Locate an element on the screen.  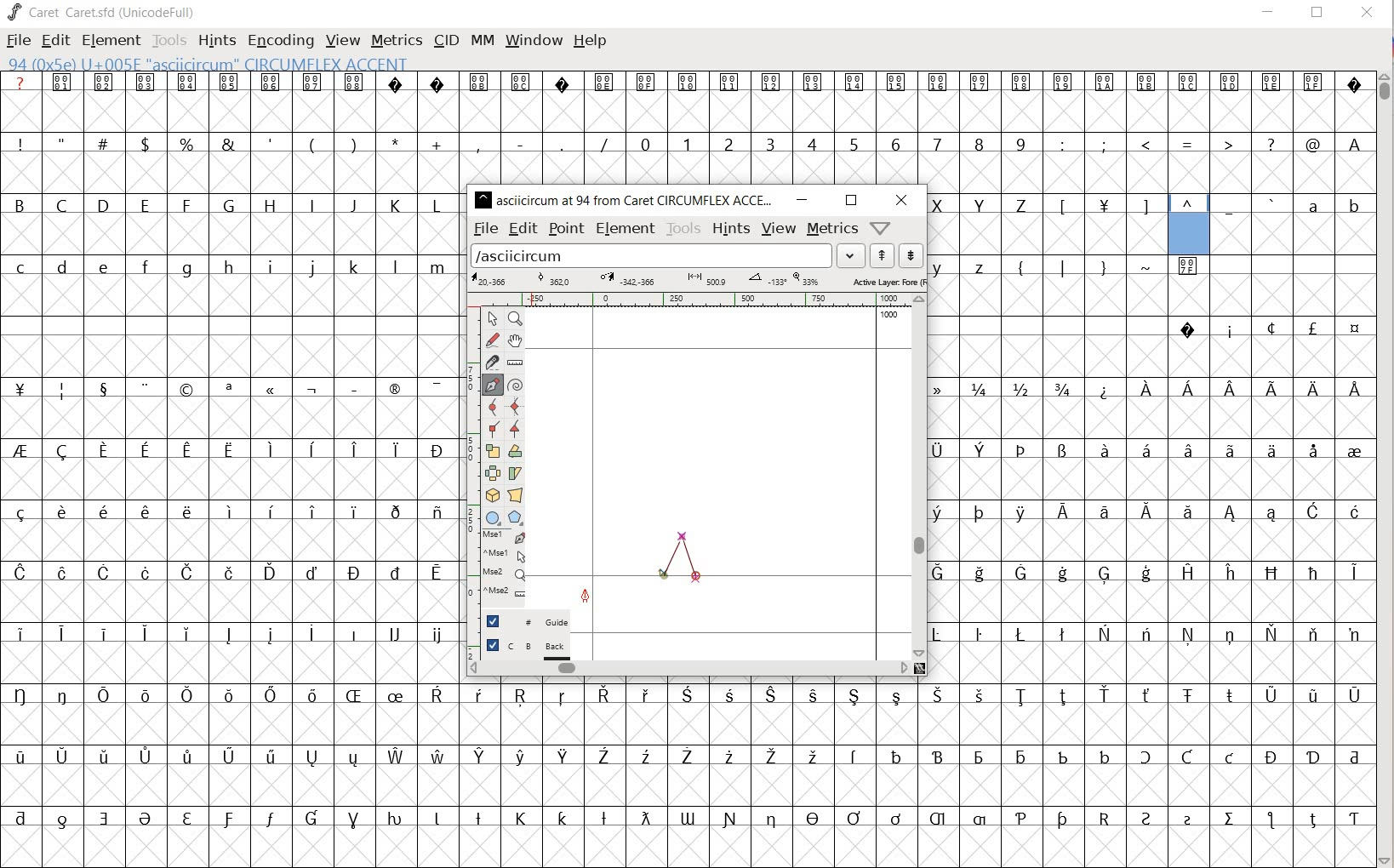
add a curve point always either horizontal or vertical is located at coordinates (515, 407).